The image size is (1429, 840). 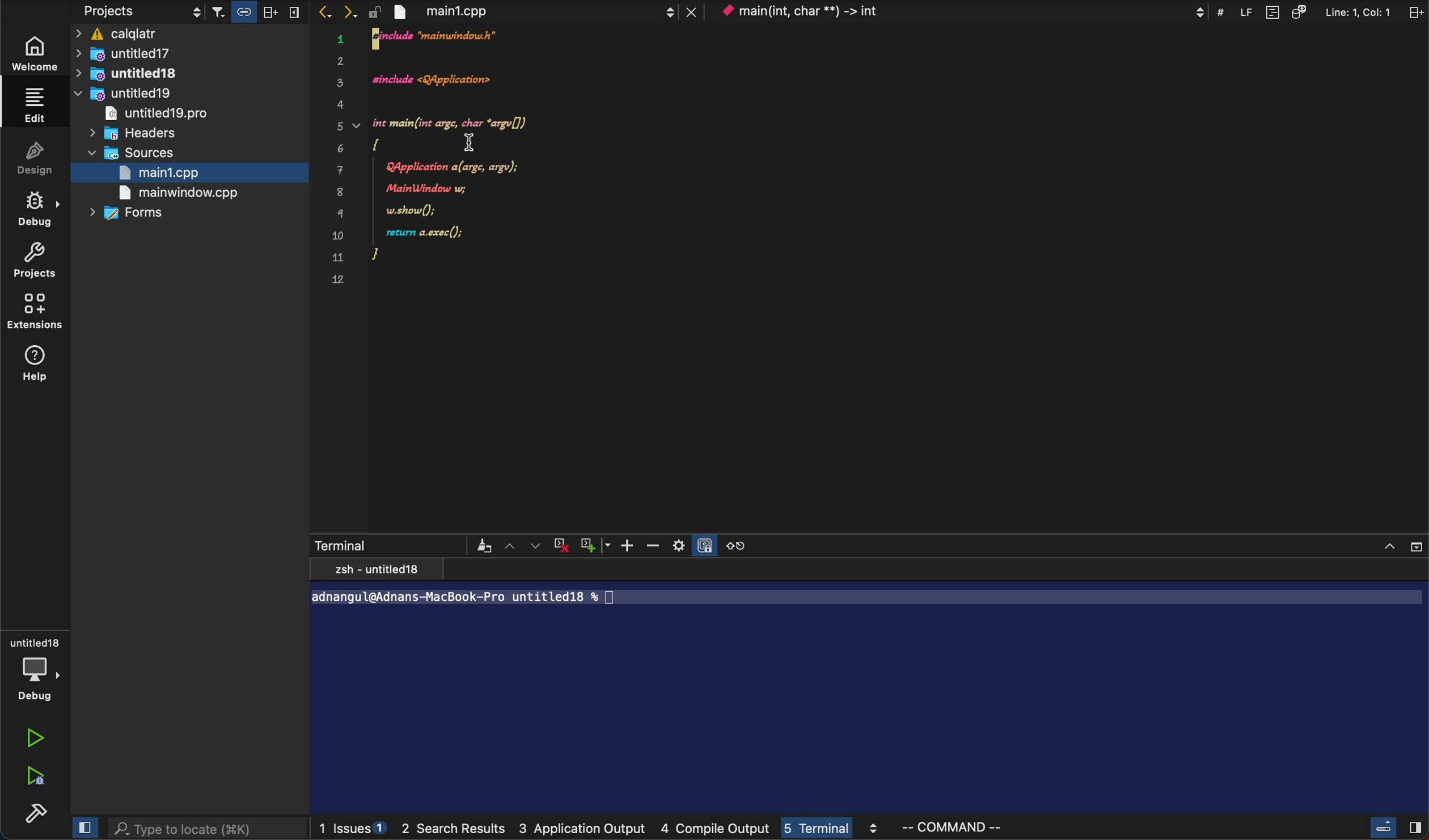 What do you see at coordinates (656, 546) in the screenshot?
I see `zoom out` at bounding box center [656, 546].